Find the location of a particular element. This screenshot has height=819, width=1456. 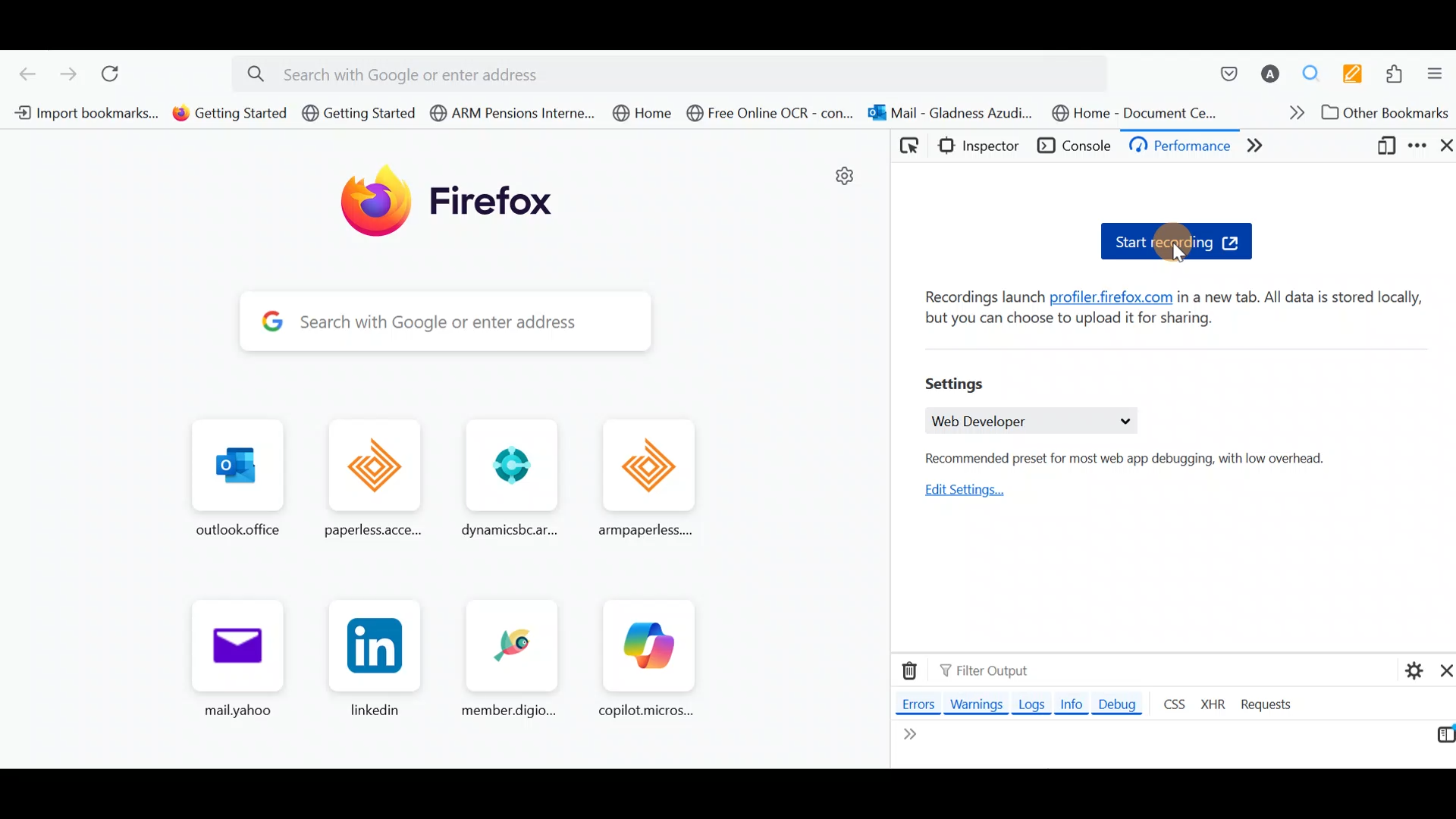

Save to pocket is located at coordinates (1221, 74).